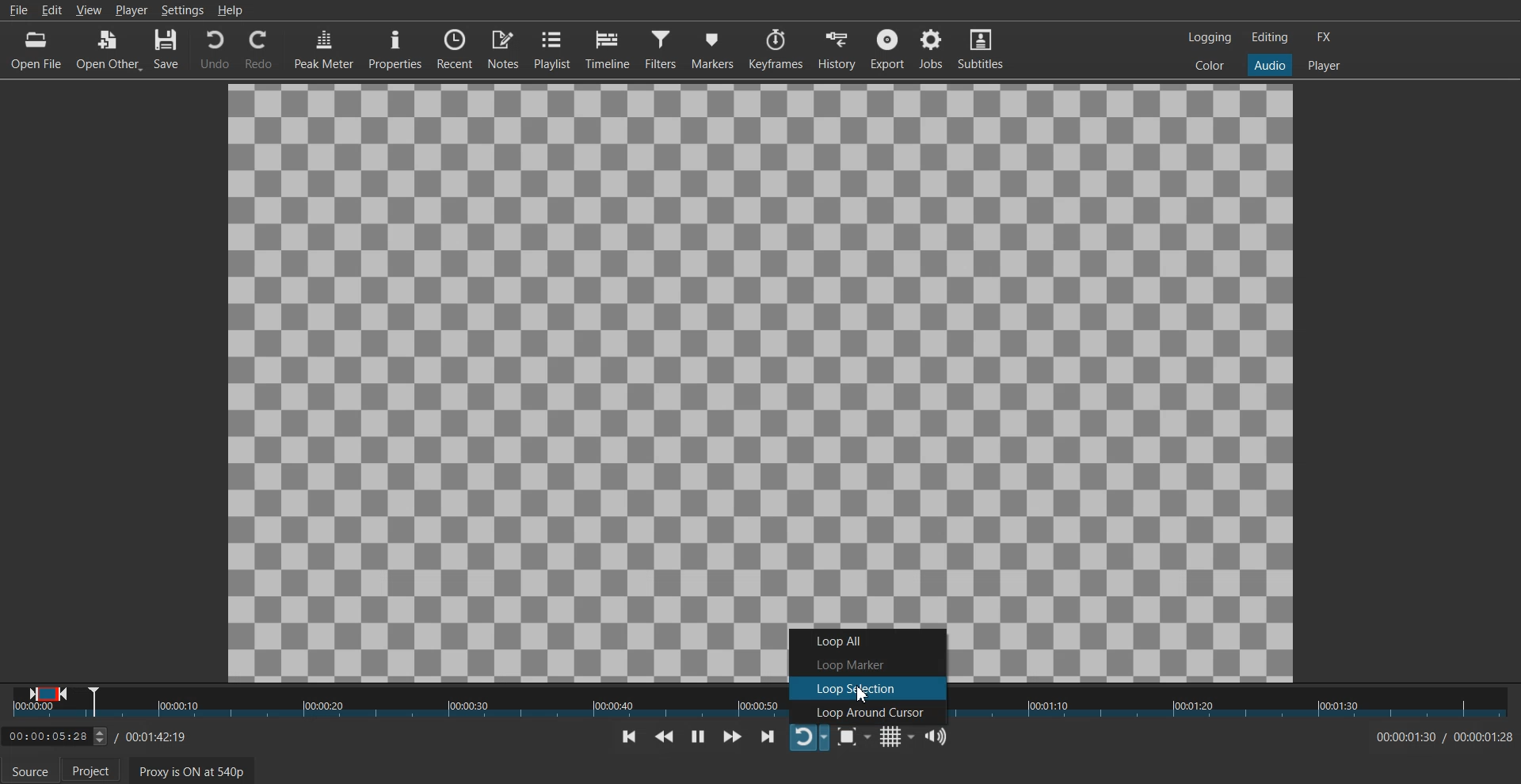  What do you see at coordinates (214, 48) in the screenshot?
I see `Undo` at bounding box center [214, 48].